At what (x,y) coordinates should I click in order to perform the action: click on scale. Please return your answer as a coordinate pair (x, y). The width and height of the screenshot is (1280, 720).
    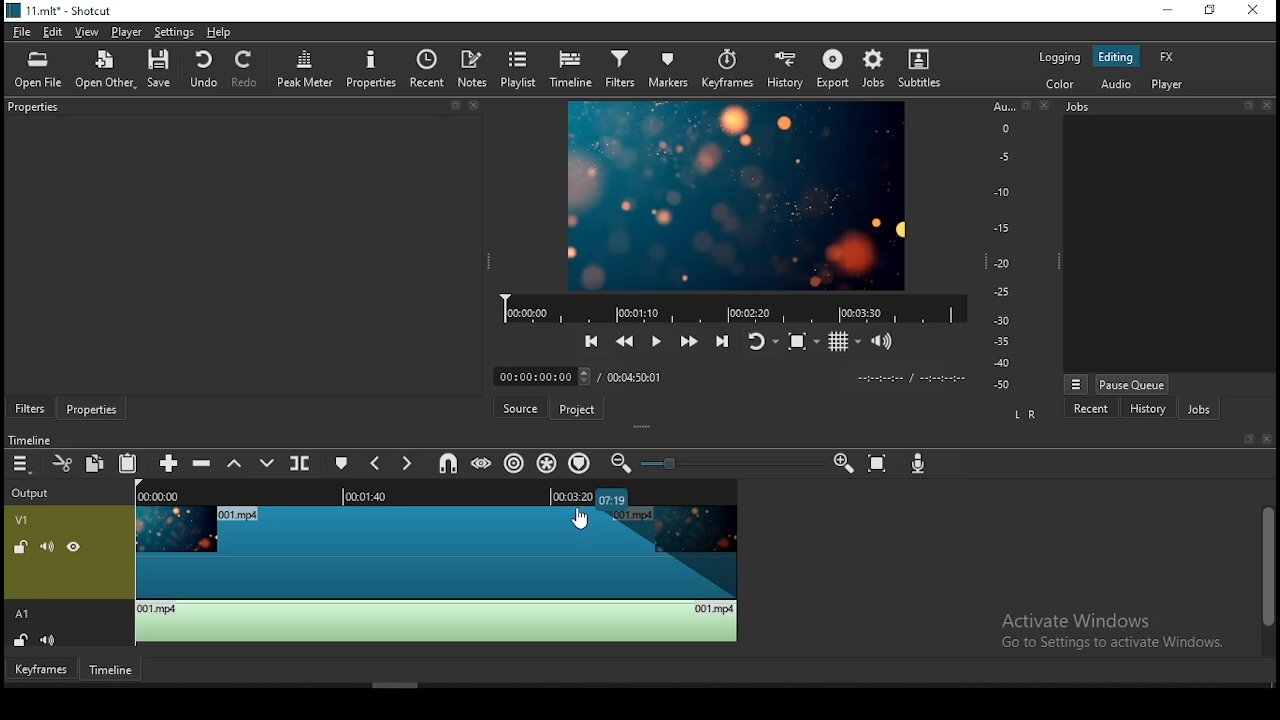
    Looking at the image, I should click on (1003, 248).